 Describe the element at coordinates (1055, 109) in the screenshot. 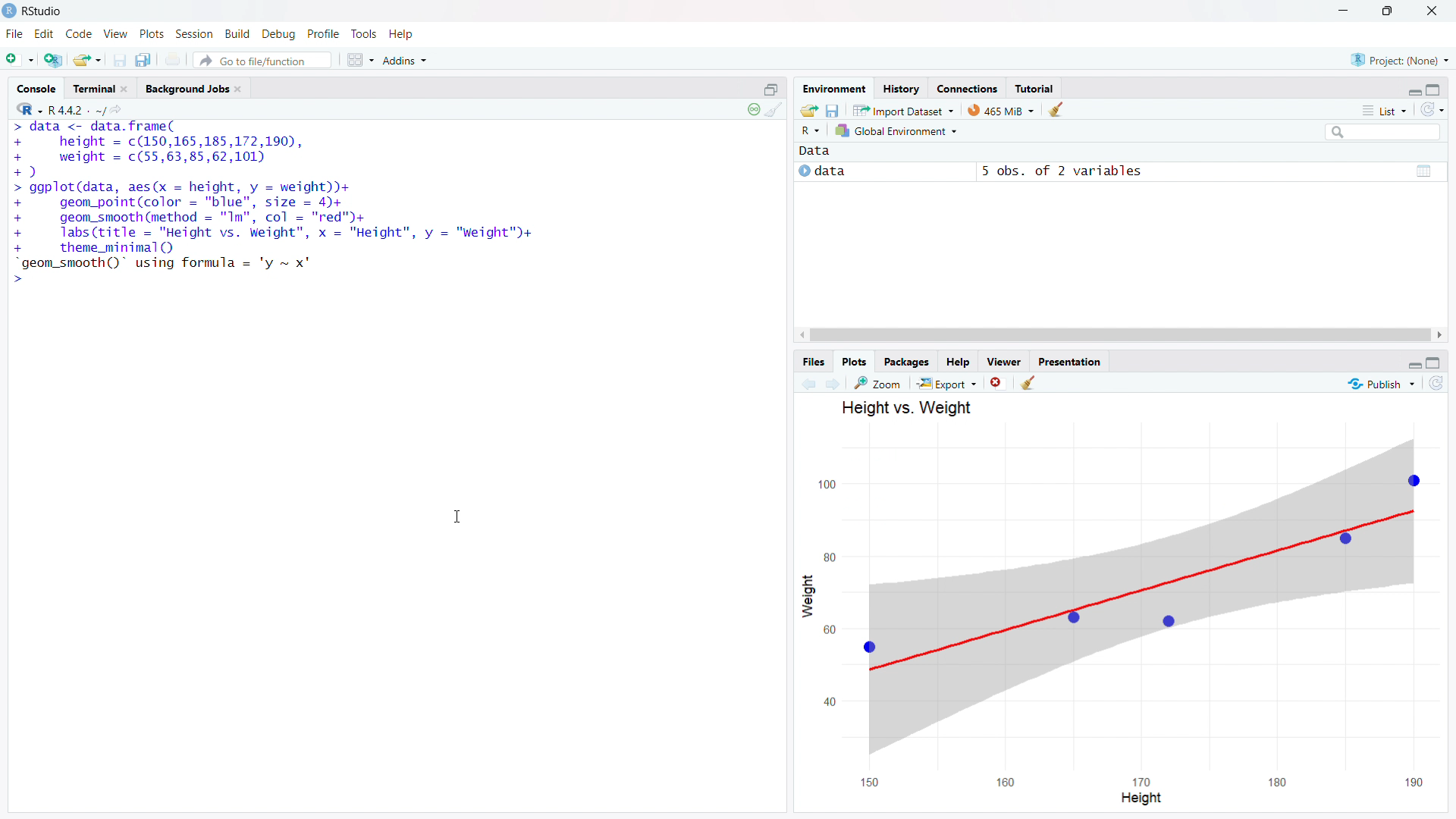

I see `clear objects from the workspace` at that location.